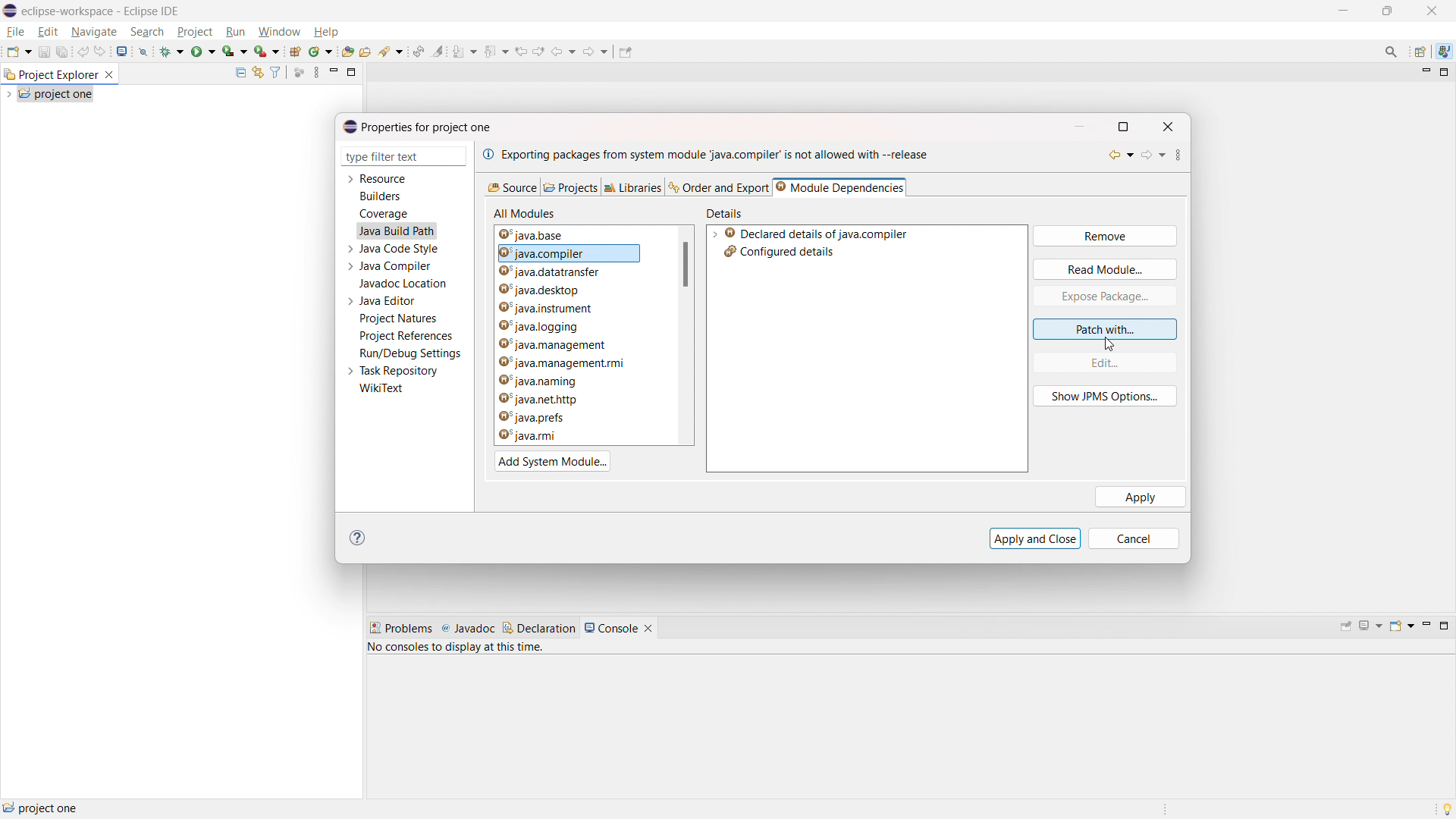  I want to click on remove, so click(1104, 237).